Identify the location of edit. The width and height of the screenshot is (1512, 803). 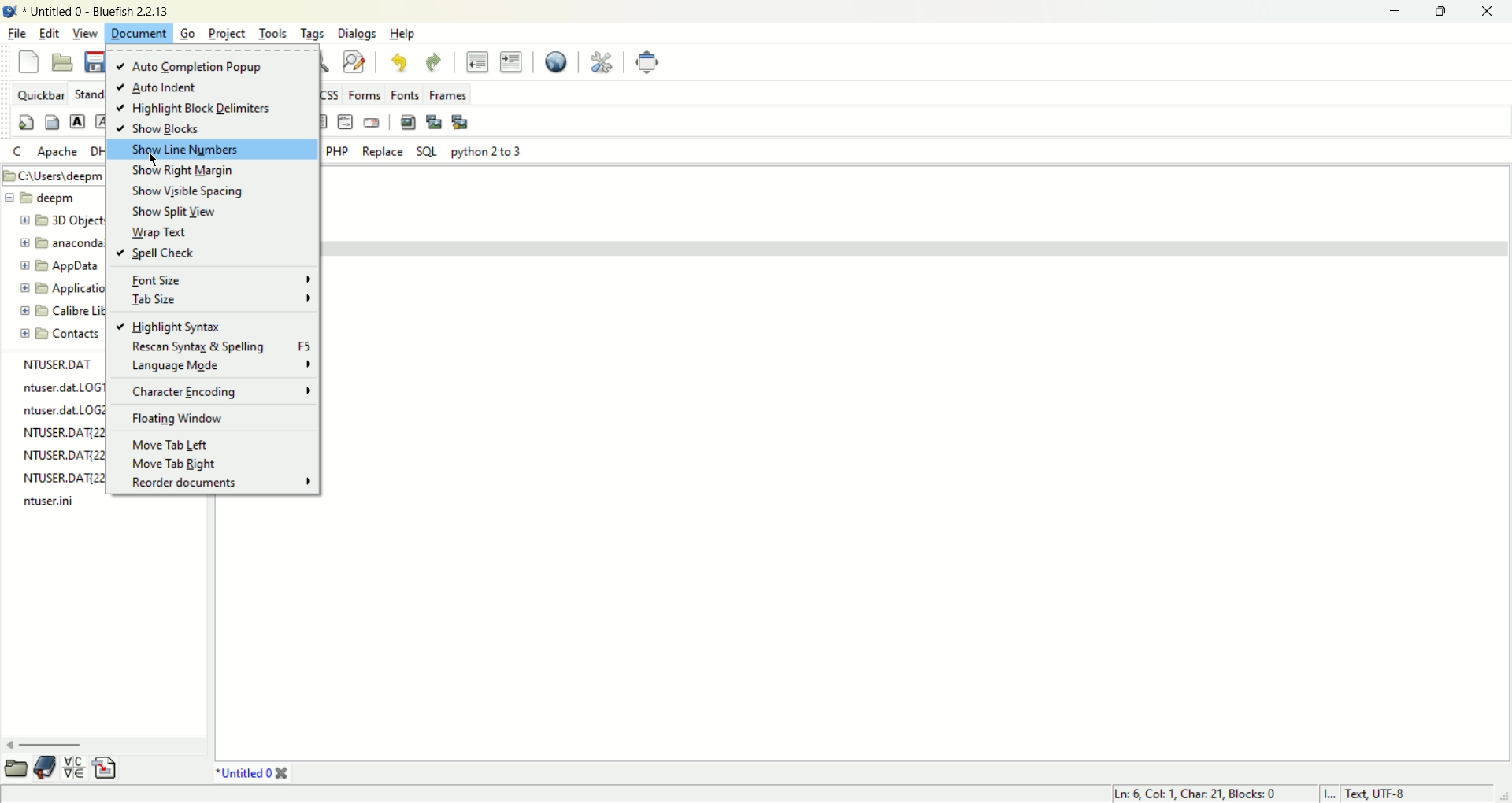
(50, 33).